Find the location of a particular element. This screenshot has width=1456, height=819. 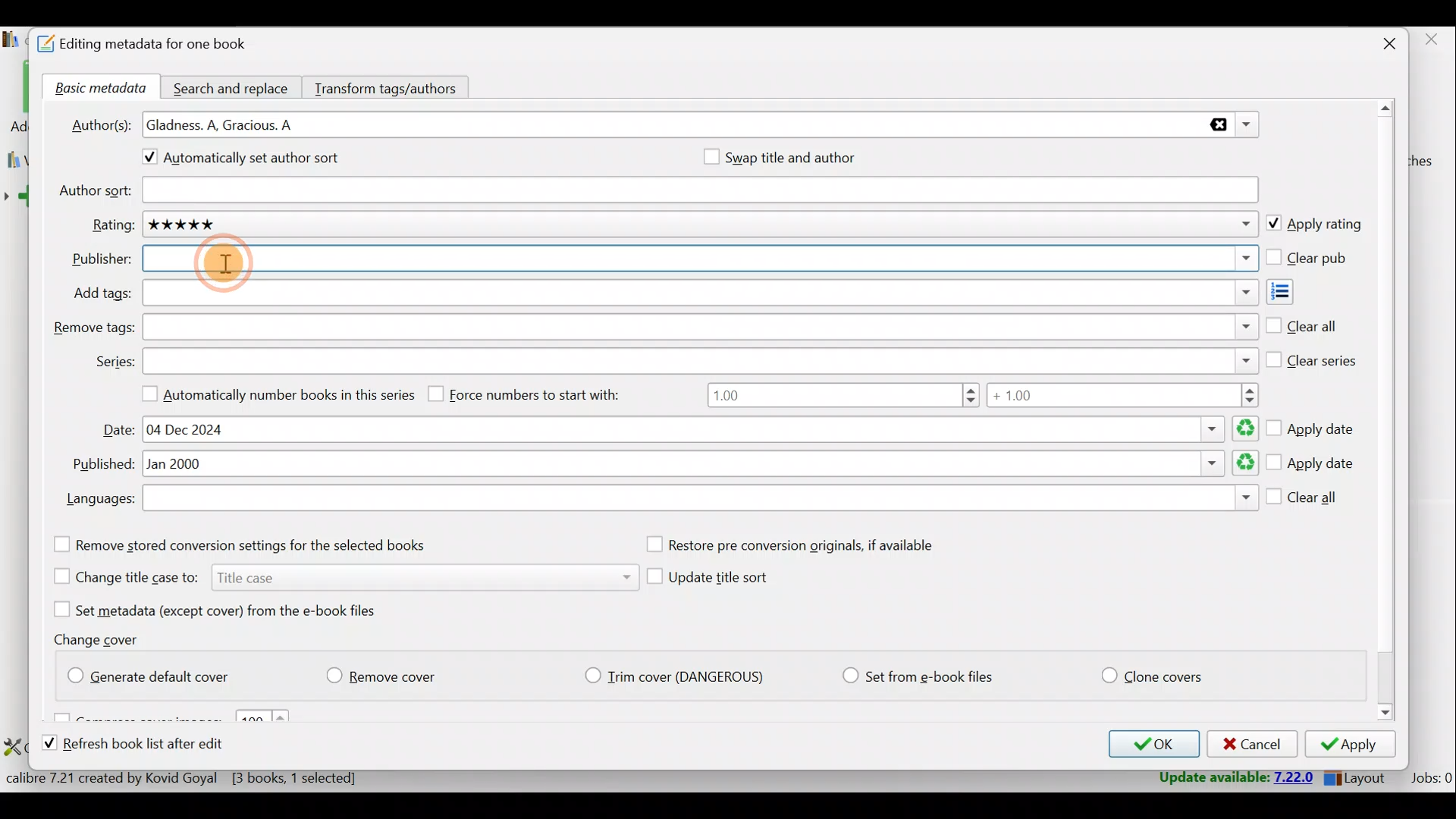

Restore pre conversion originals, if available is located at coordinates (806, 545).